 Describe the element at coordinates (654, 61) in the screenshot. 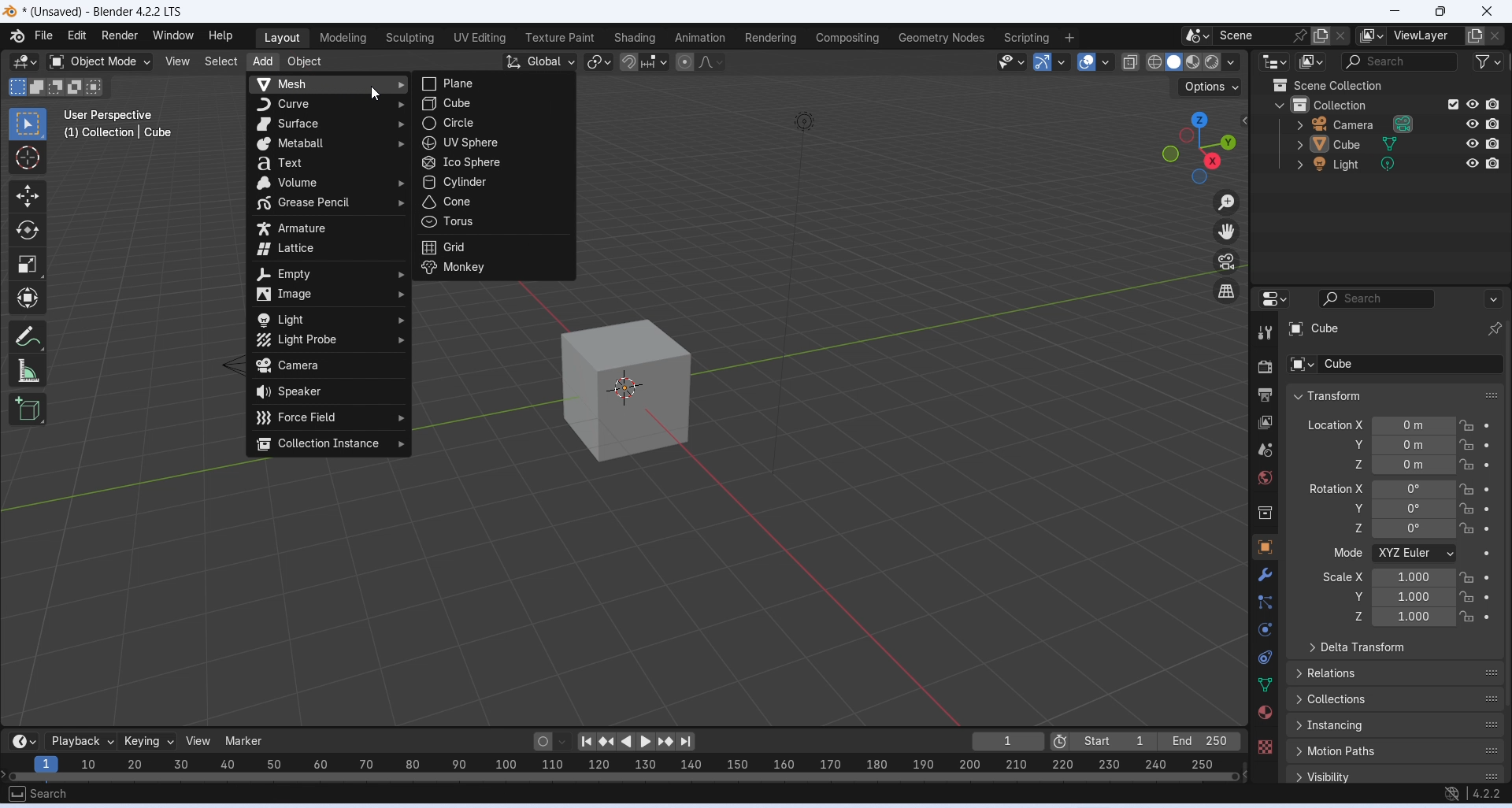

I see `snapping` at that location.